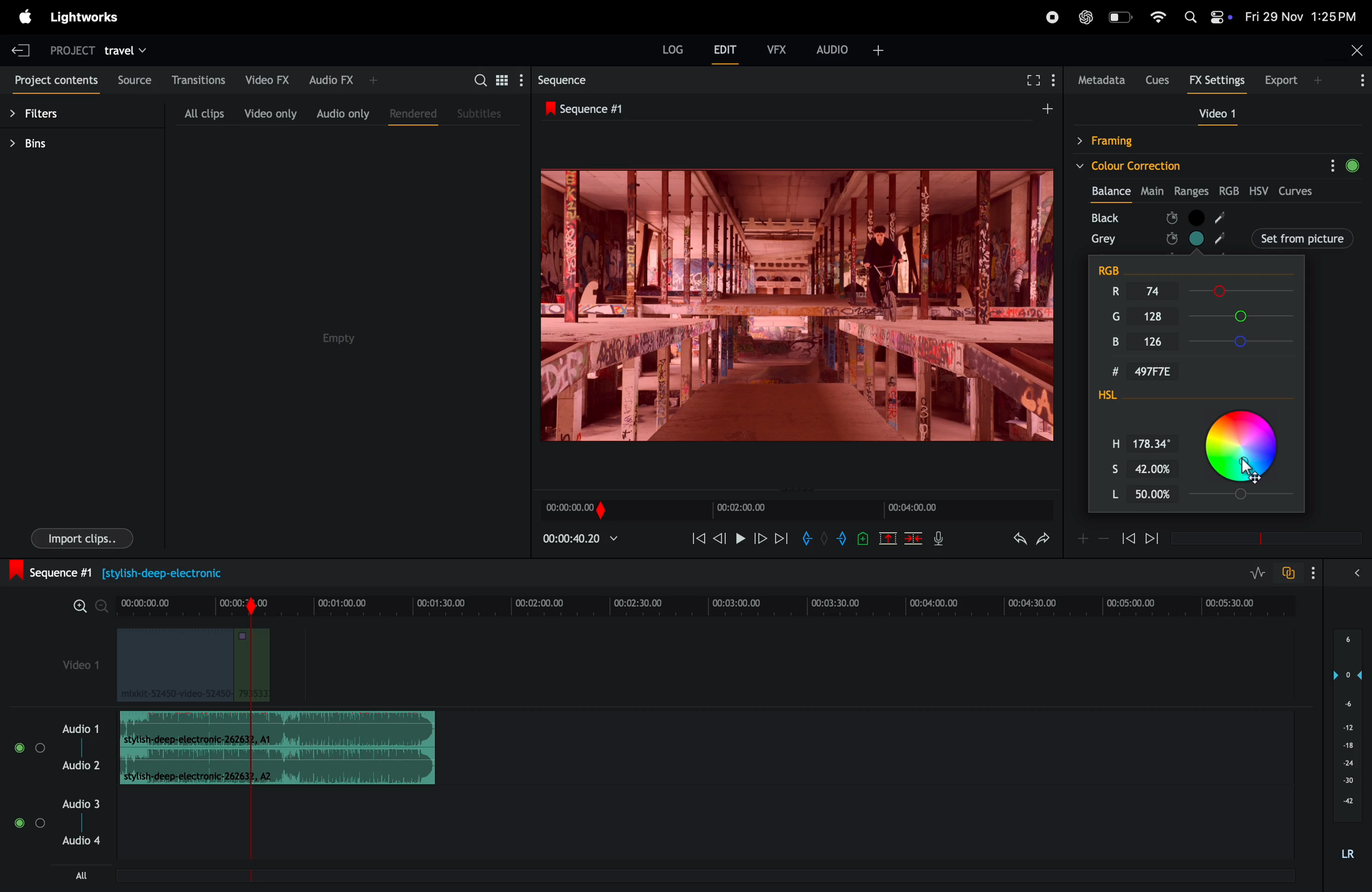 The height and width of the screenshot is (892, 1372). I want to click on L Input, so click(1155, 495).